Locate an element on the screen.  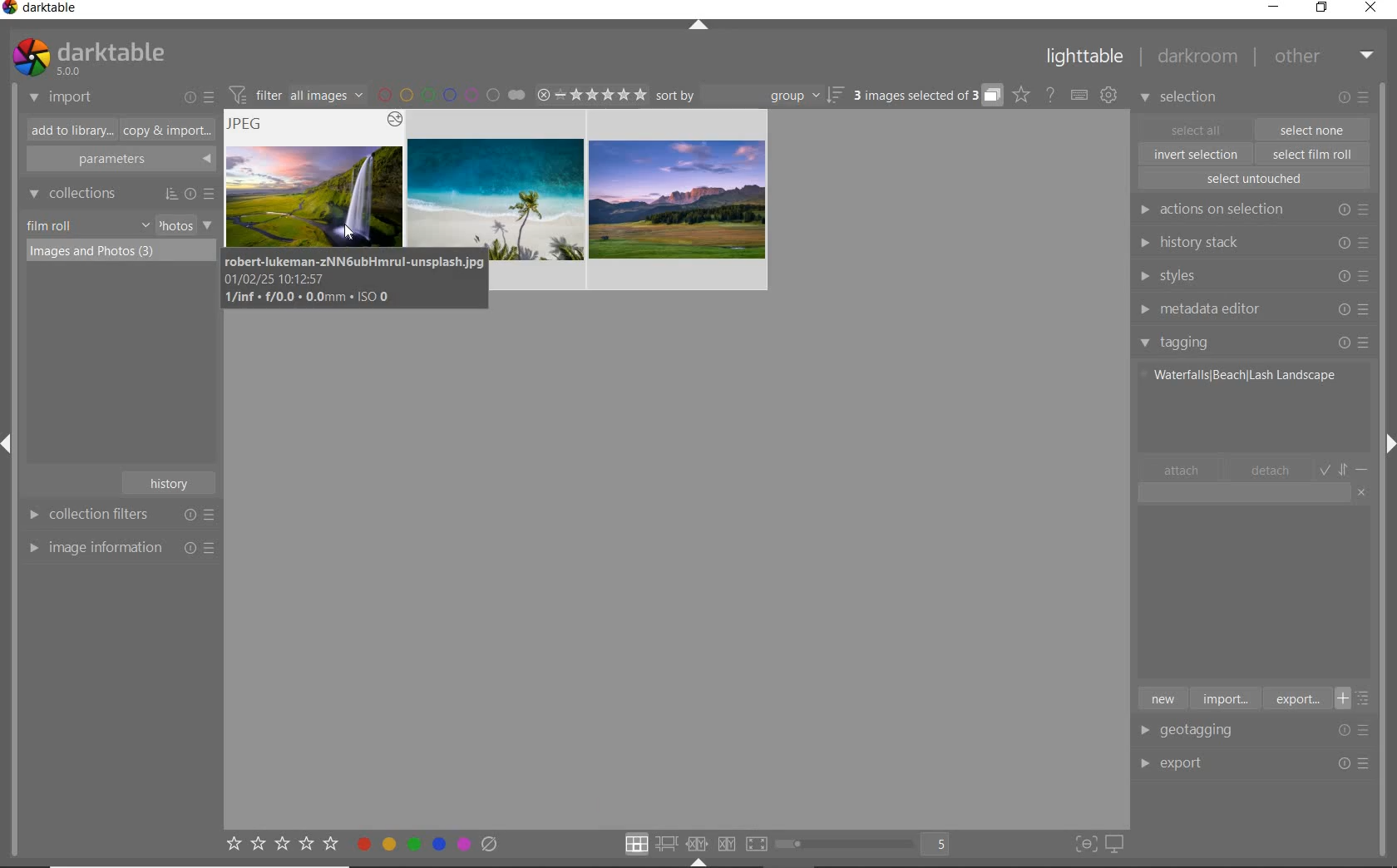
history stack is located at coordinates (1251, 242).